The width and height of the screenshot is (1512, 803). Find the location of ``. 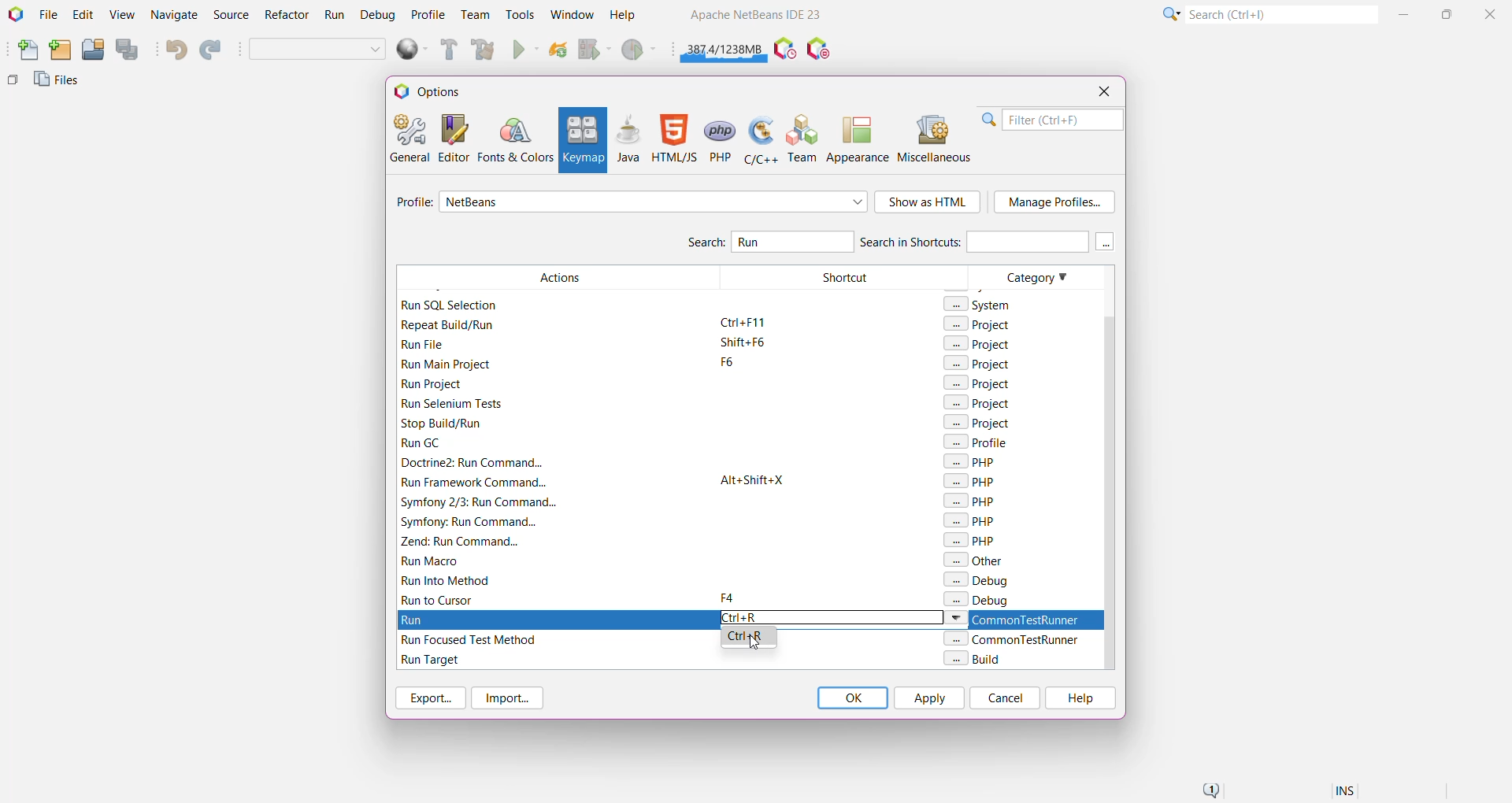

 is located at coordinates (13, 83).